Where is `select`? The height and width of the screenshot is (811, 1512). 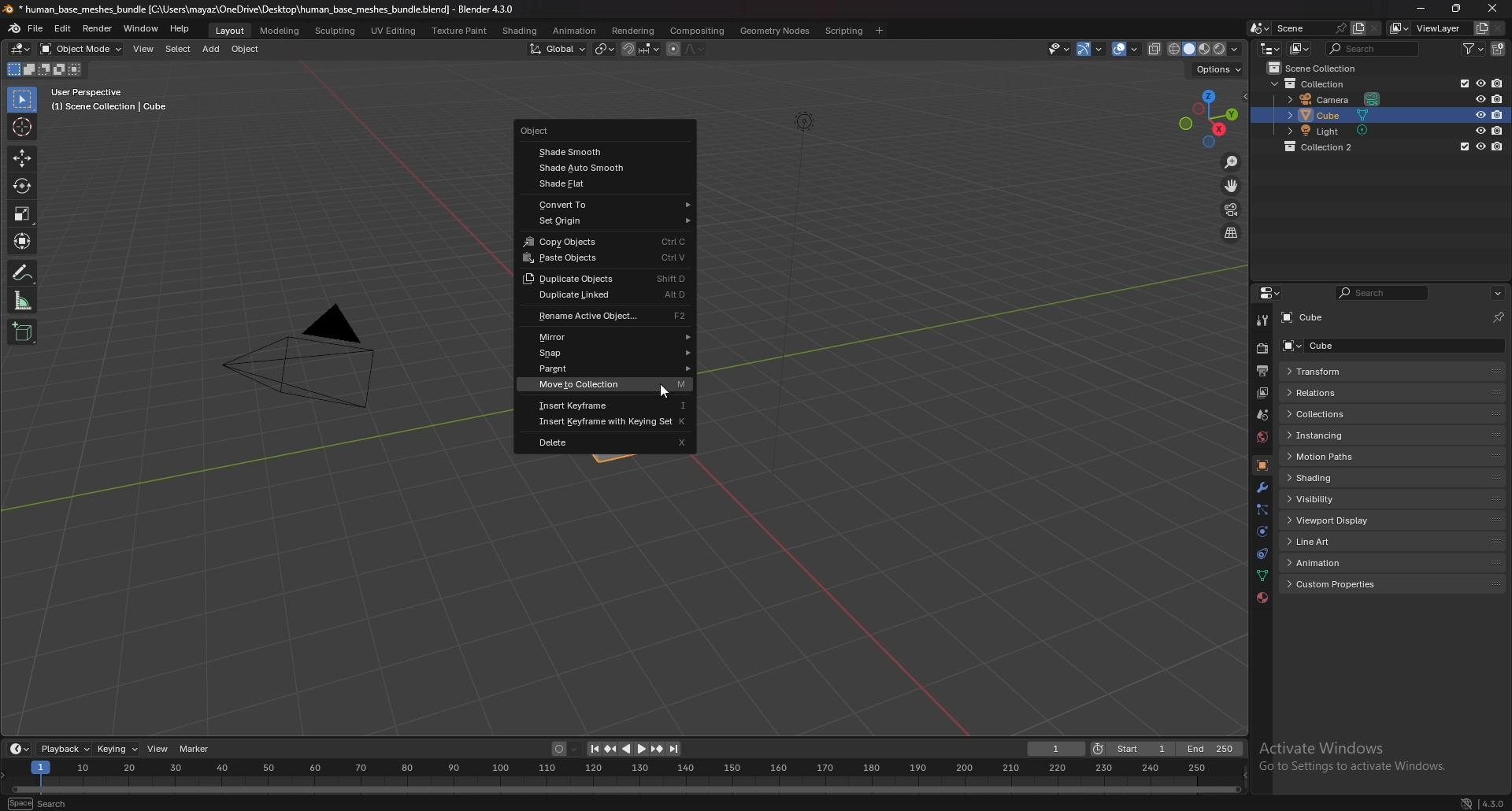
select is located at coordinates (178, 49).